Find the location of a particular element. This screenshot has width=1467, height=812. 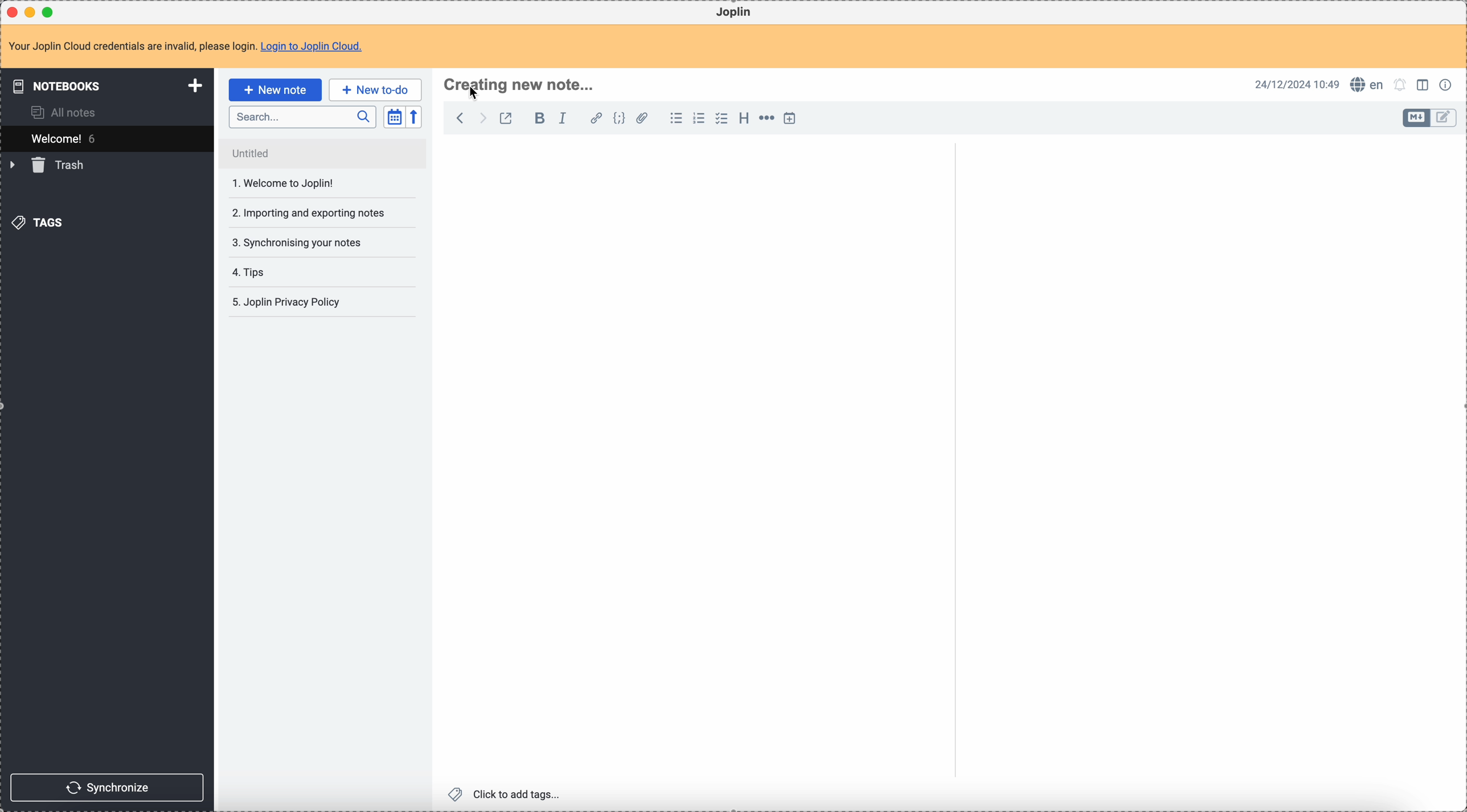

minimize Joplin is located at coordinates (32, 12).